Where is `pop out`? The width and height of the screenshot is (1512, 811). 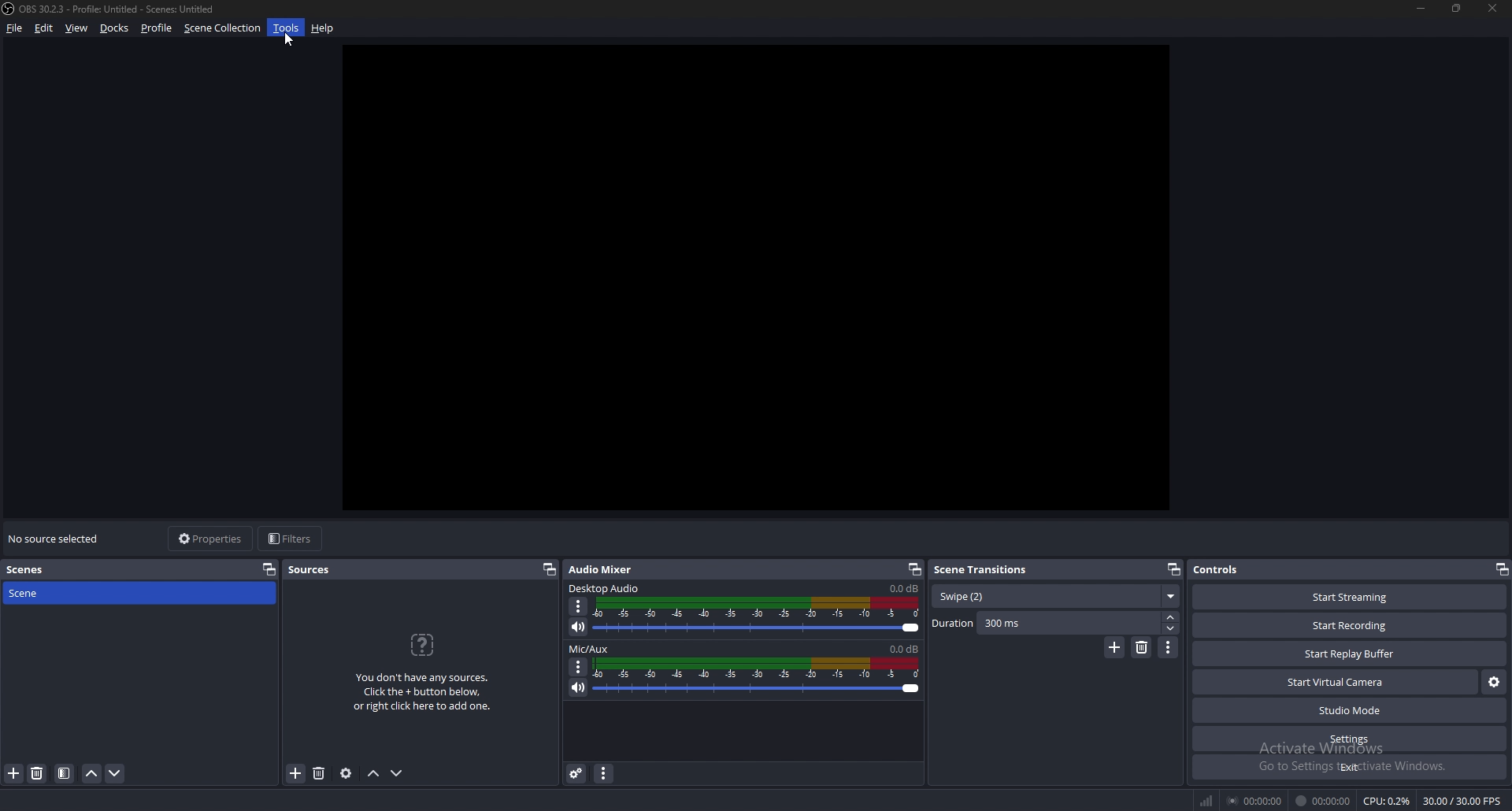 pop out is located at coordinates (1173, 570).